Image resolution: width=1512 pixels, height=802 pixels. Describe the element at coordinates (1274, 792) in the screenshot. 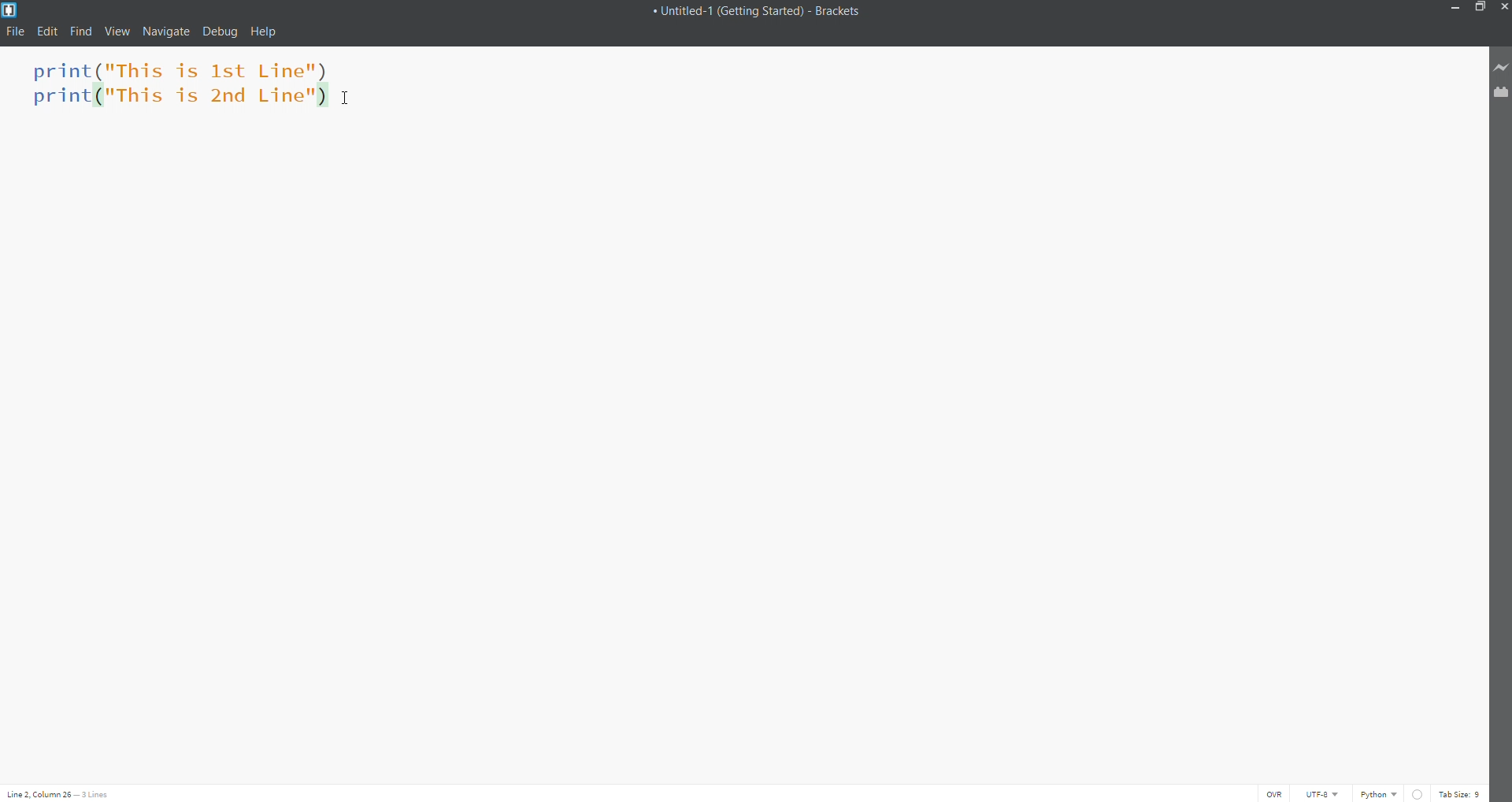

I see `OVR` at that location.